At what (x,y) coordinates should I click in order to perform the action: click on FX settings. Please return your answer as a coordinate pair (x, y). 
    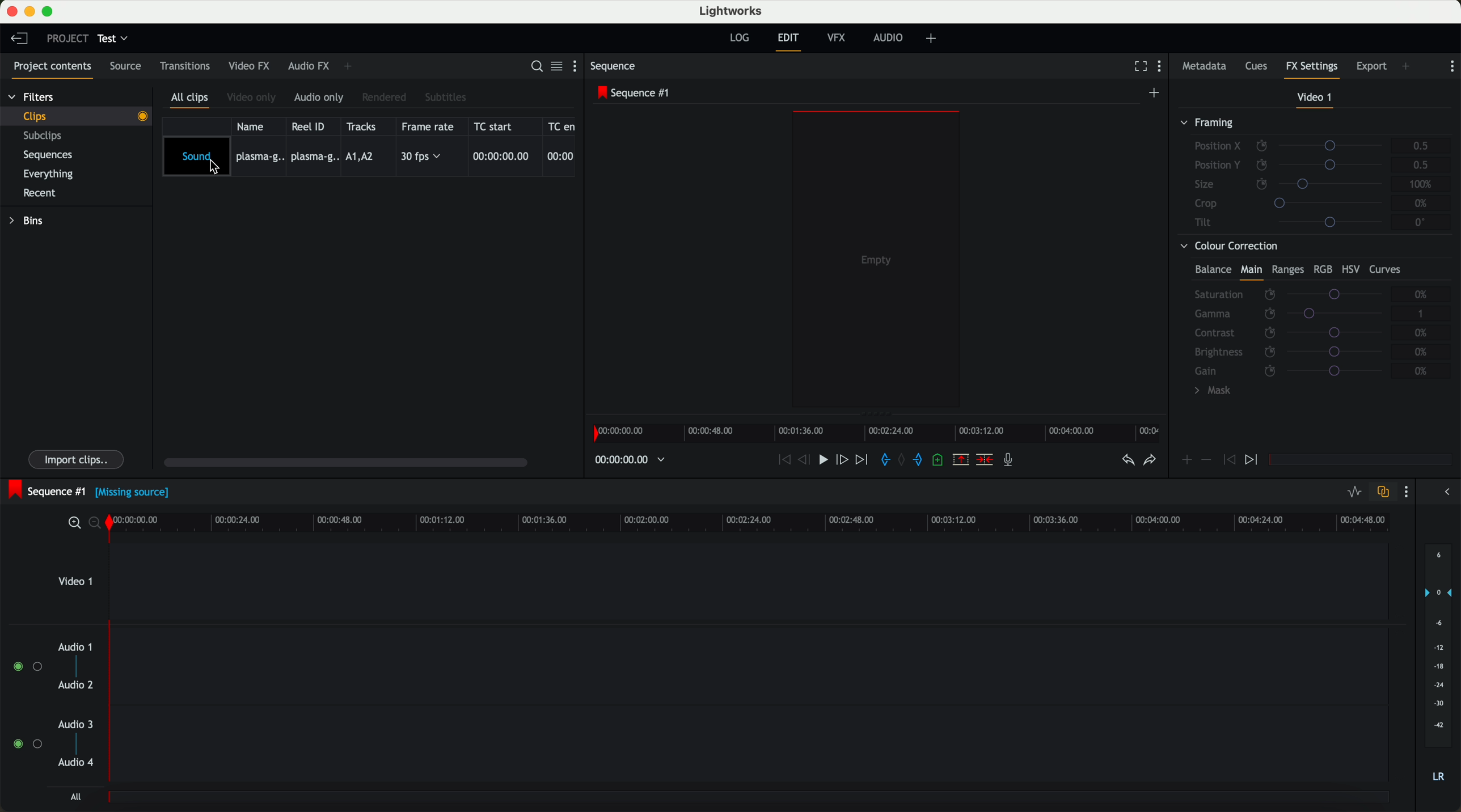
    Looking at the image, I should click on (1312, 68).